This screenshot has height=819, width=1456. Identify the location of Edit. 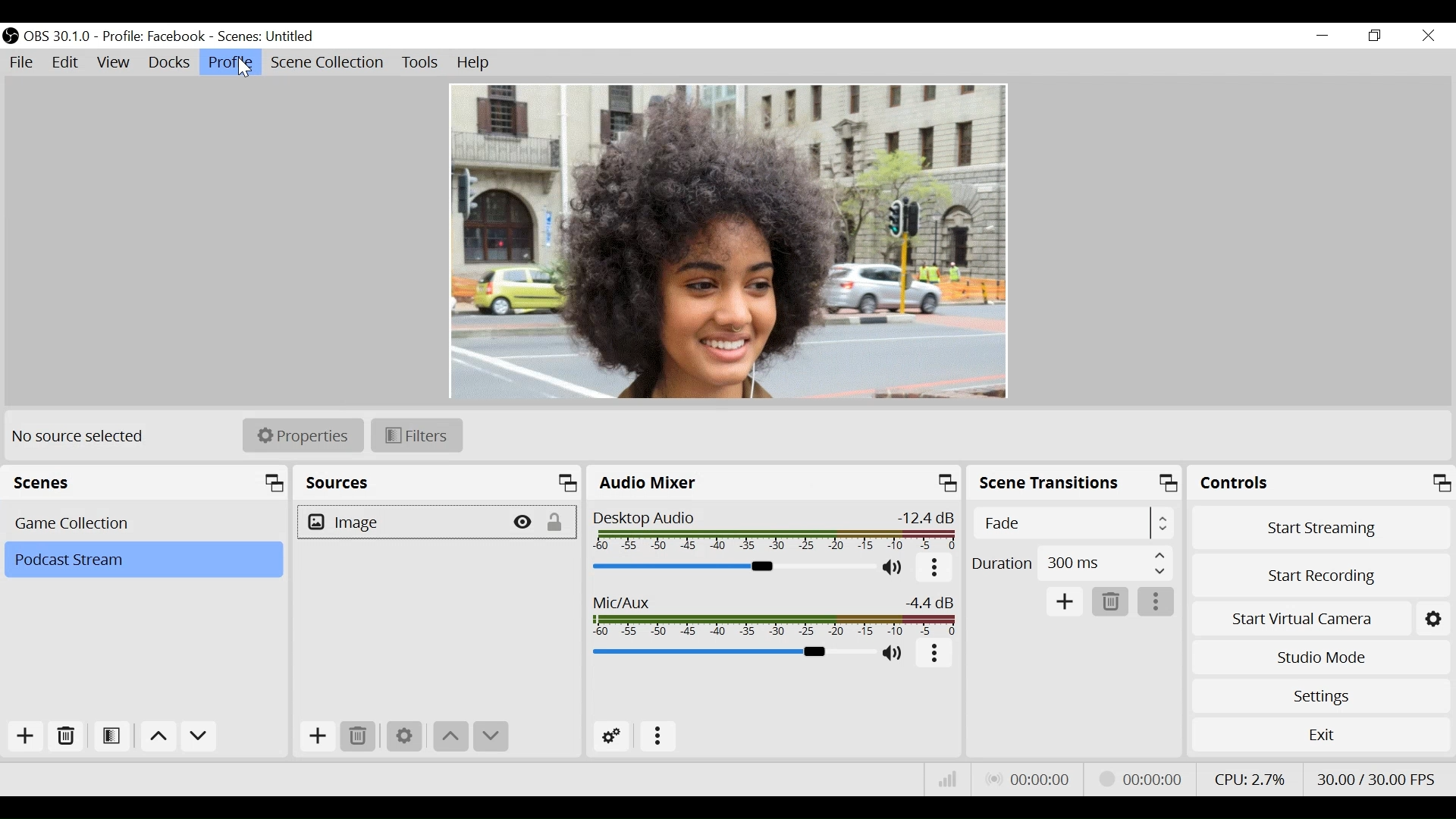
(67, 63).